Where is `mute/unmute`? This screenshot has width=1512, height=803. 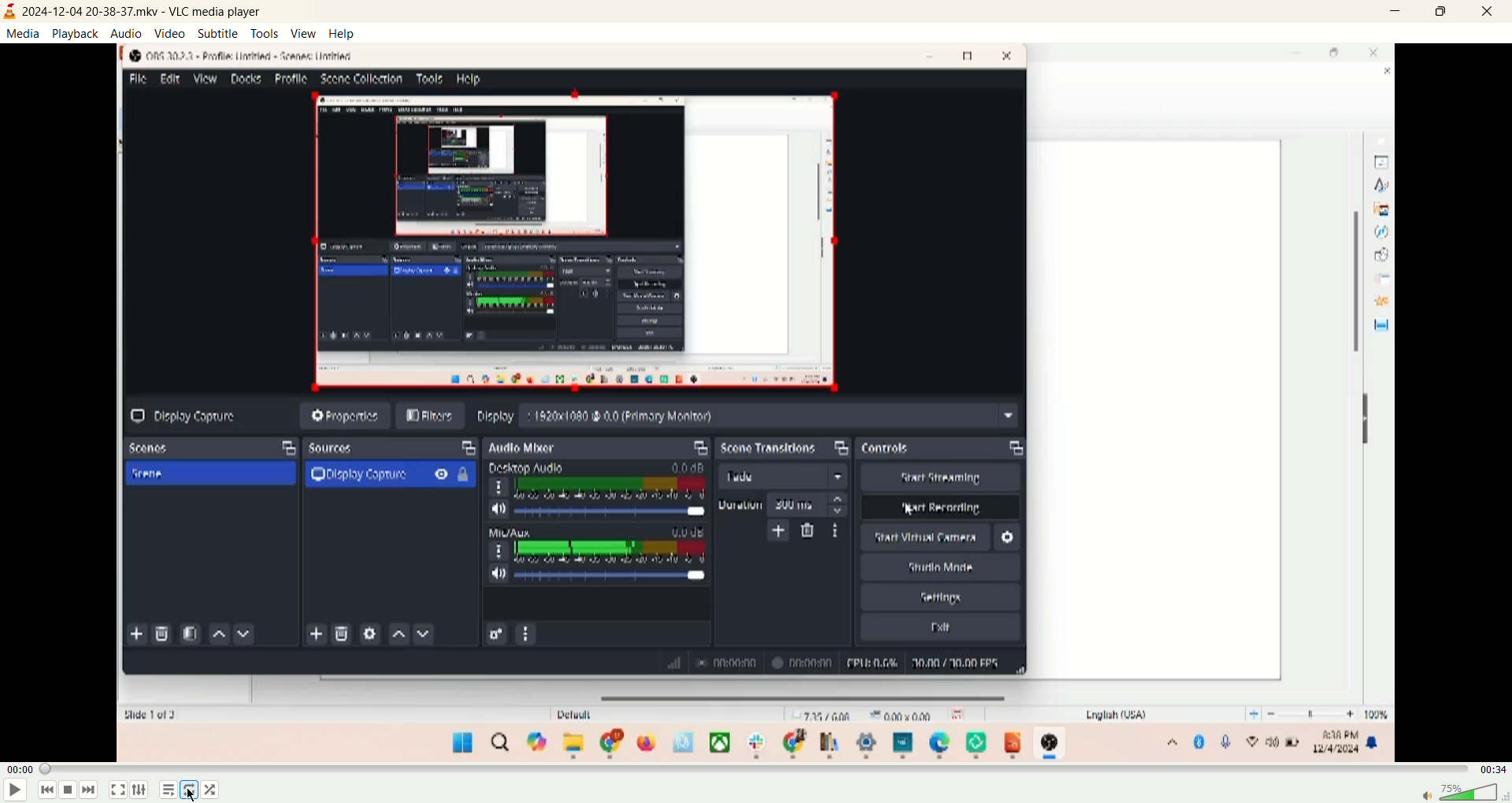 mute/unmute is located at coordinates (1421, 793).